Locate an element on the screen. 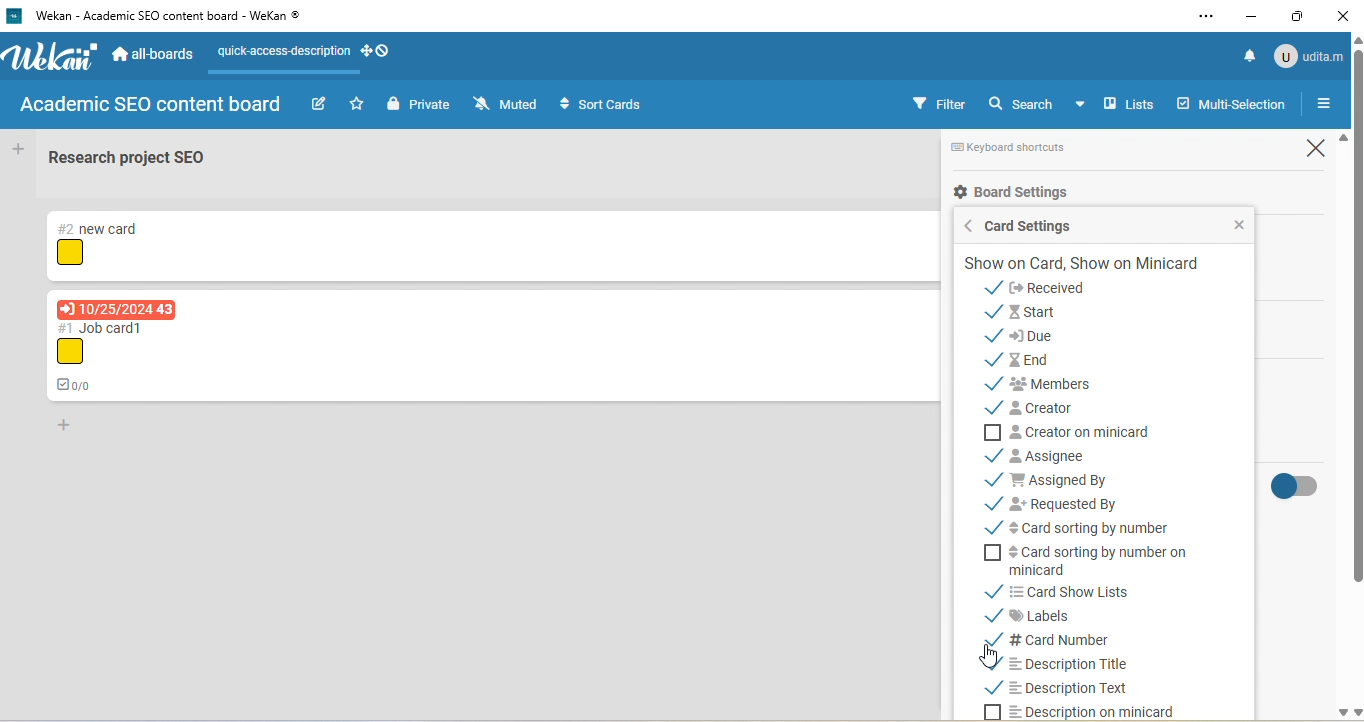  udita m is located at coordinates (1309, 55).